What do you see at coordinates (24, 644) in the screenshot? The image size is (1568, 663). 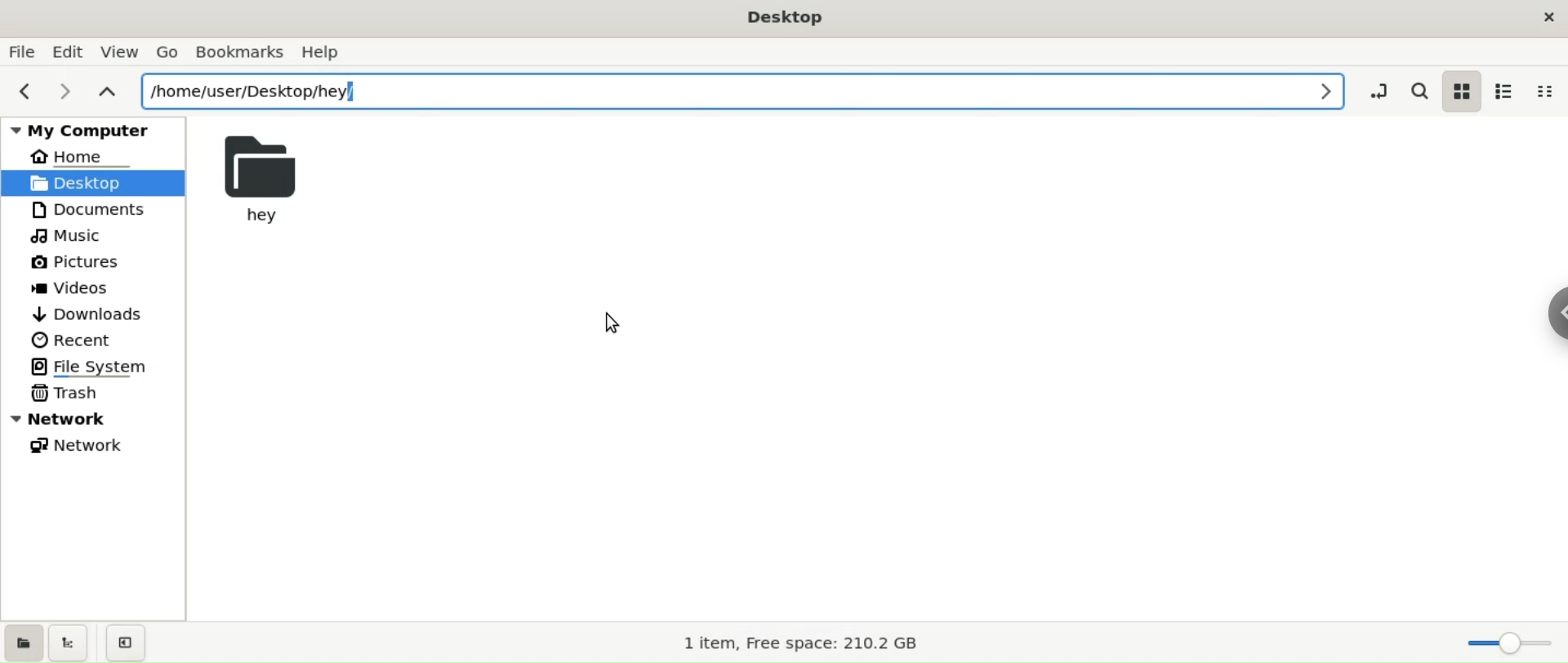 I see `show places` at bounding box center [24, 644].